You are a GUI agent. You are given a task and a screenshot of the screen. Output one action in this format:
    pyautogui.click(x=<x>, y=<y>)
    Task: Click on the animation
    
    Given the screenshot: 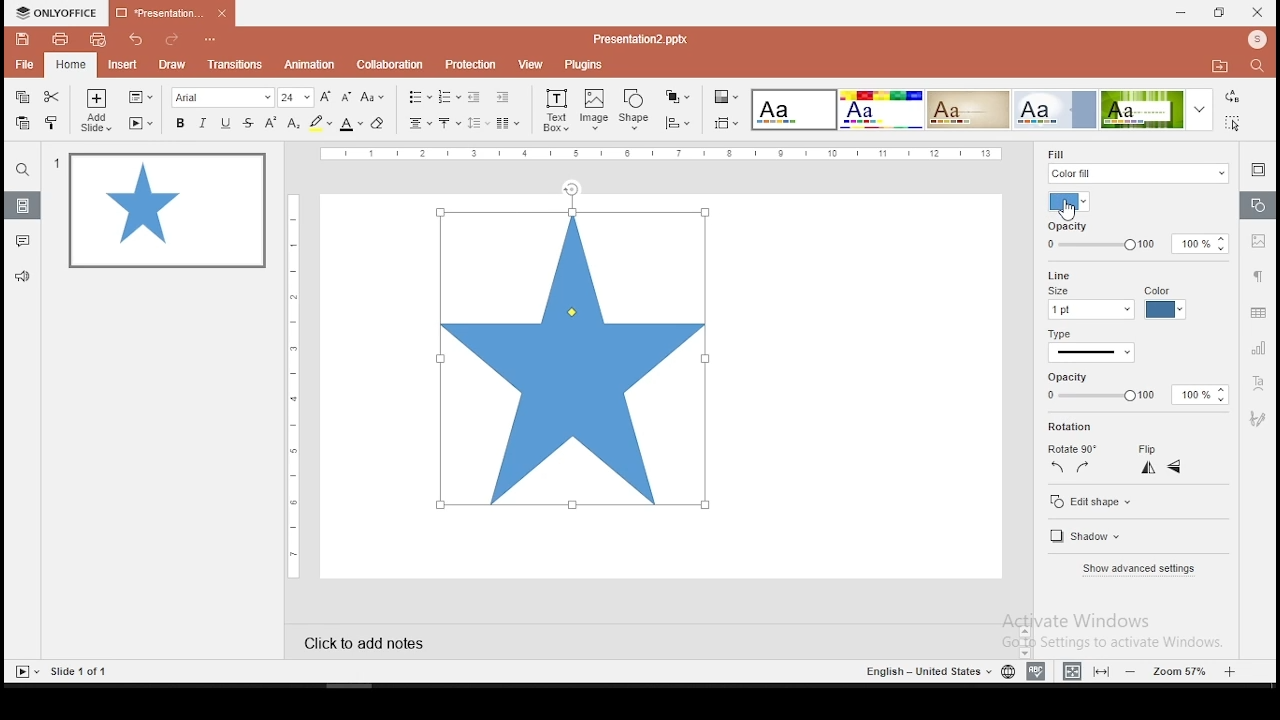 What is the action you would take?
    pyautogui.click(x=312, y=65)
    